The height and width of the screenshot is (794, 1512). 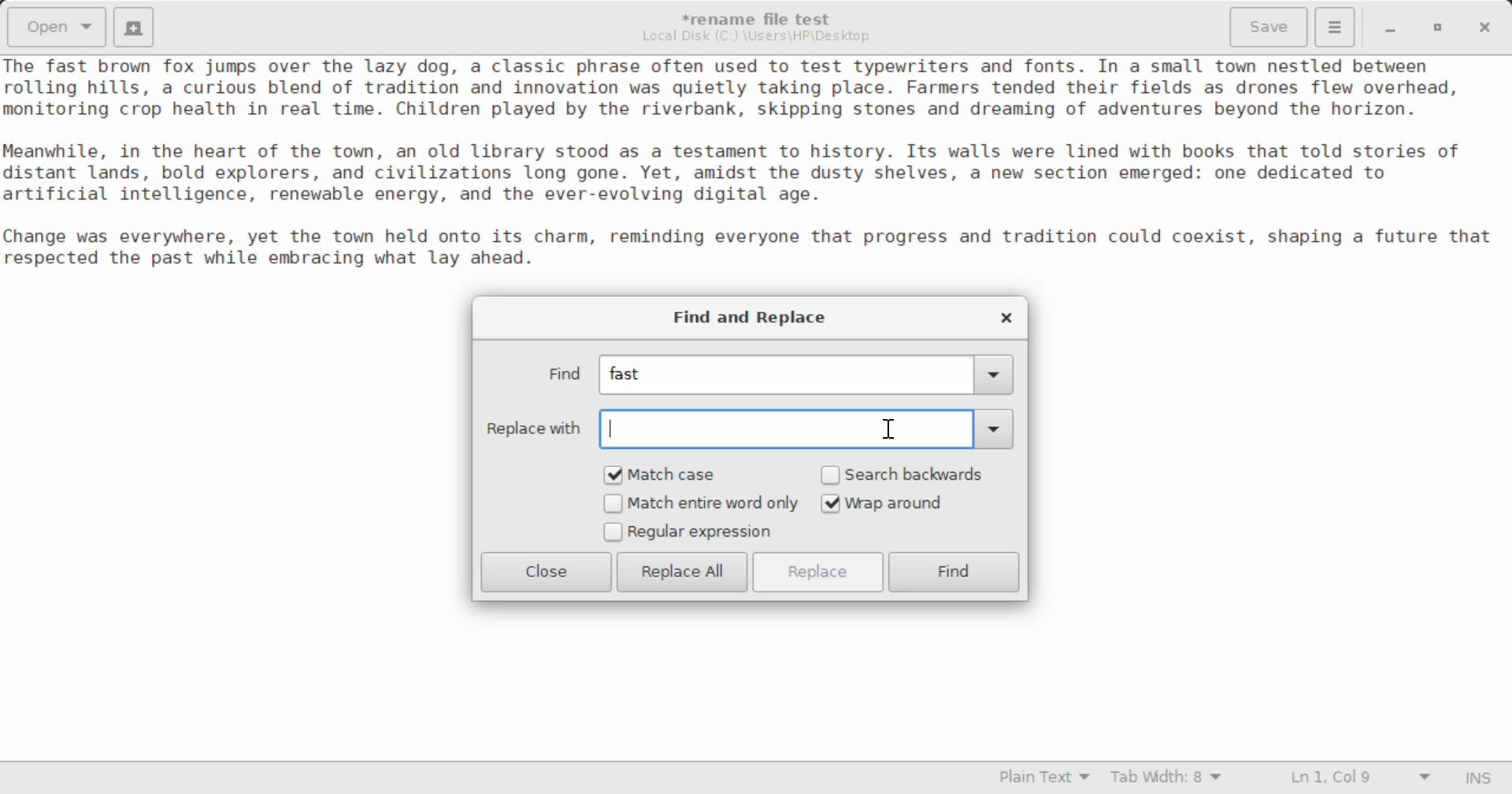 I want to click on Replace All , so click(x=682, y=572).